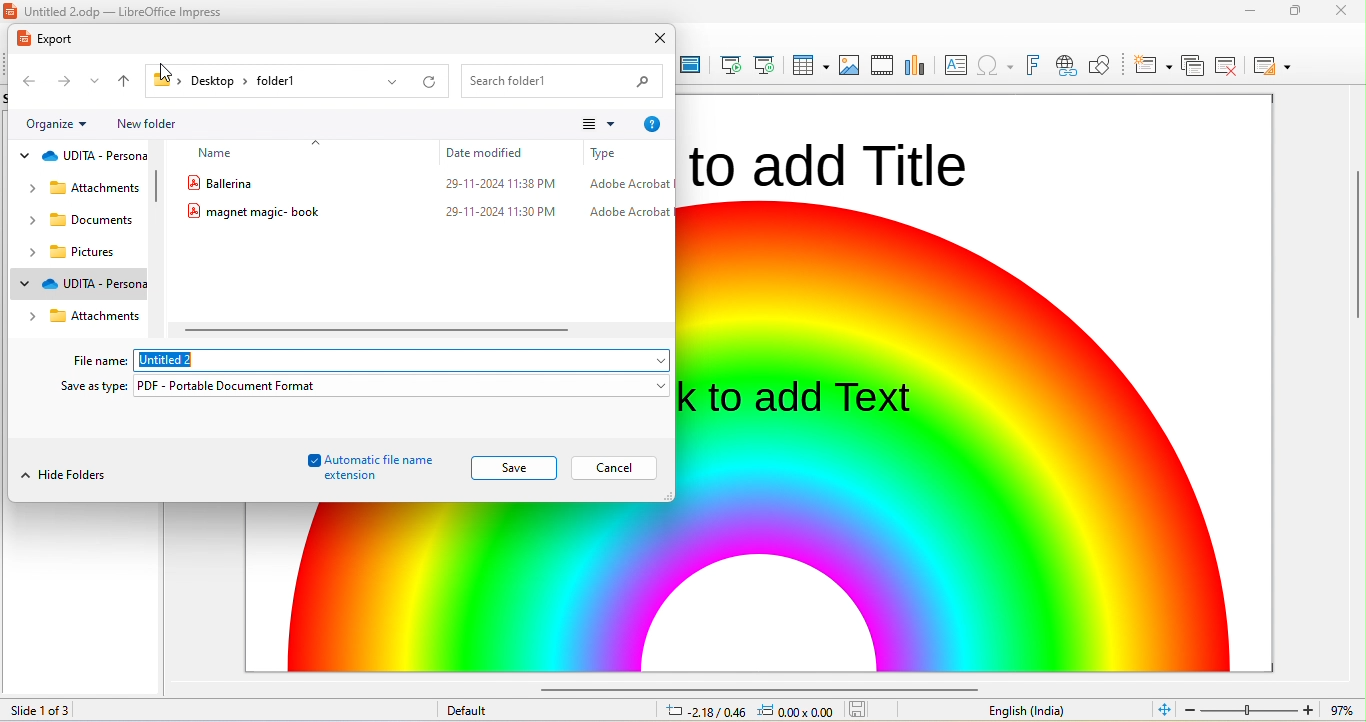 The image size is (1366, 722). I want to click on extension, so click(350, 477).